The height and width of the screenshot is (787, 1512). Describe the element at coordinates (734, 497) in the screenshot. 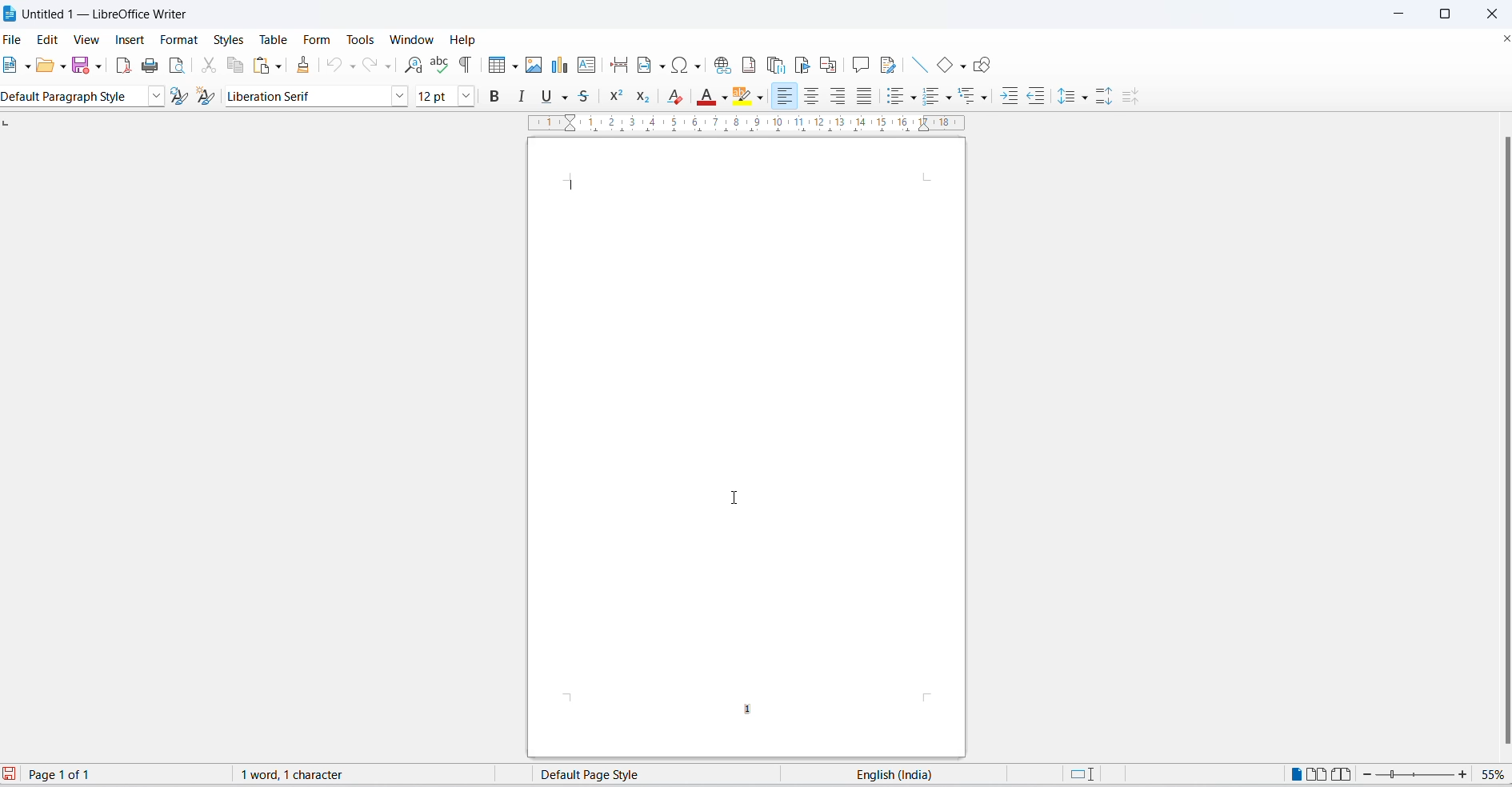

I see `cursor` at that location.